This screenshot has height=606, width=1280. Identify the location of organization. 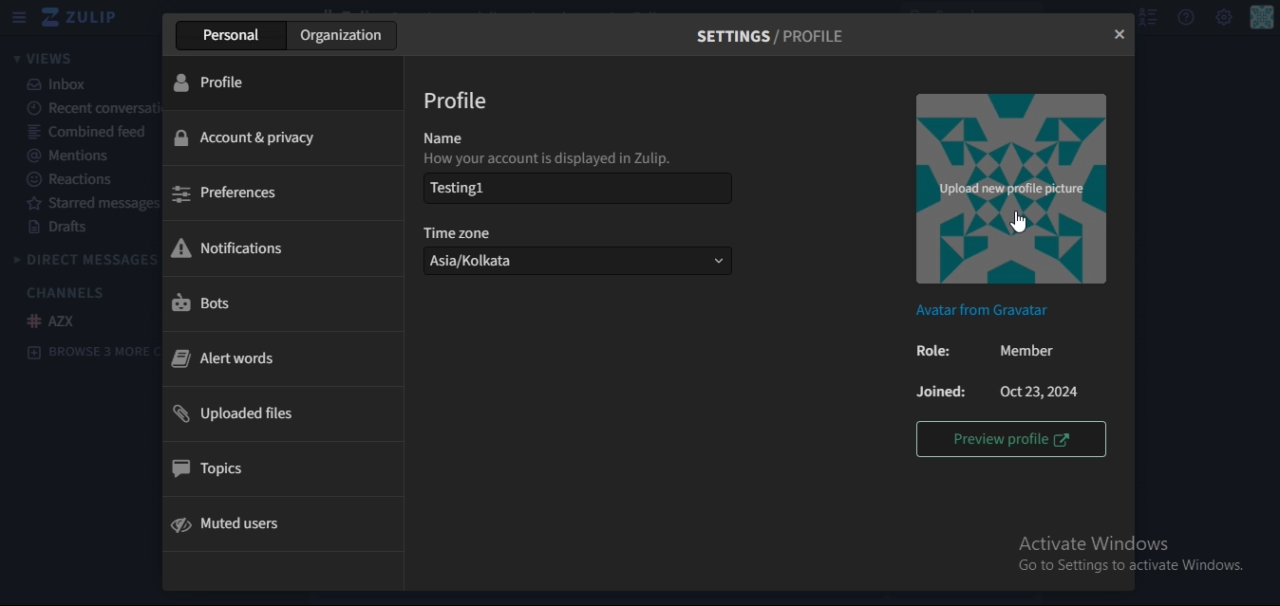
(346, 36).